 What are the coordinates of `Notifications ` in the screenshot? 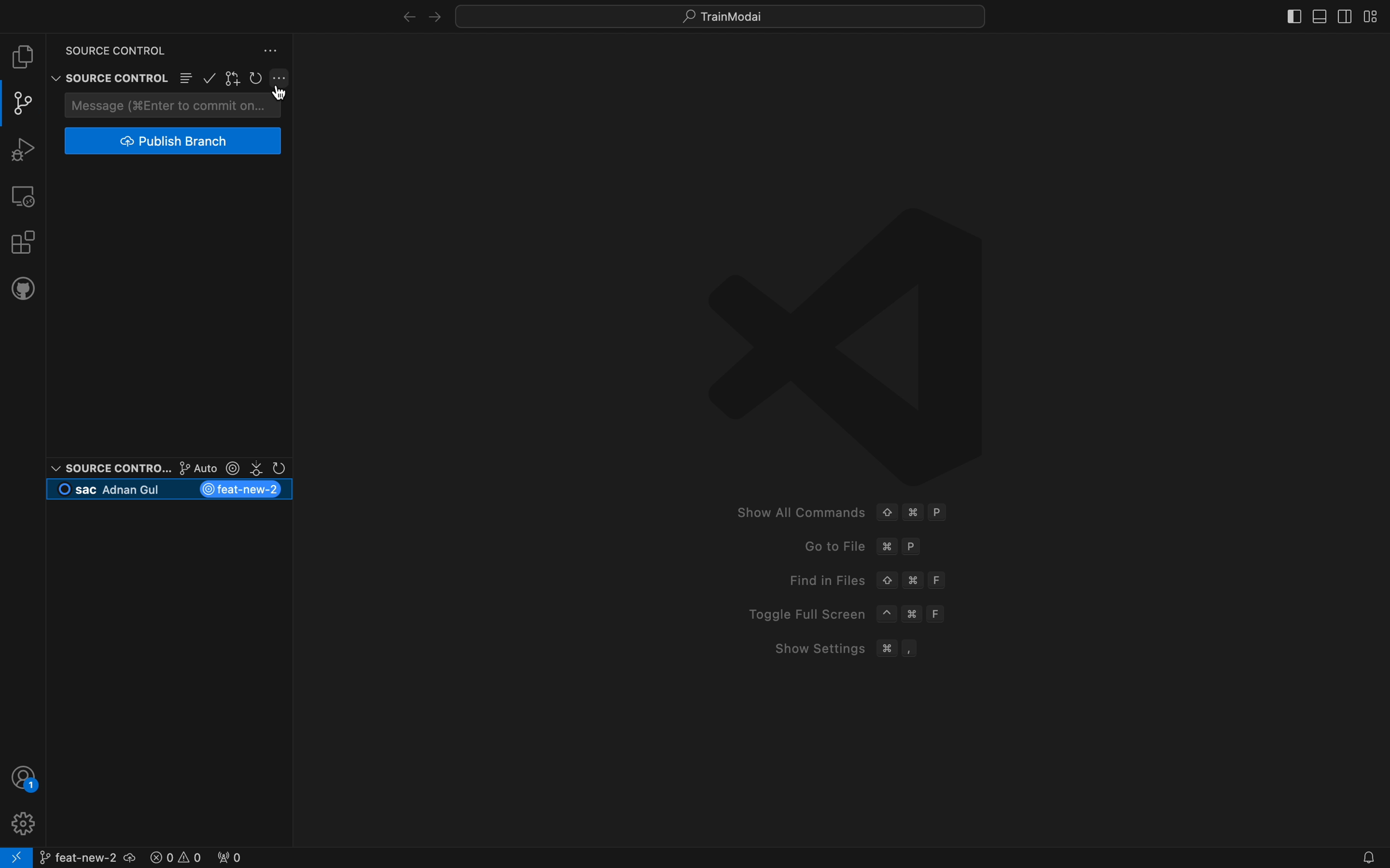 It's located at (1366, 858).